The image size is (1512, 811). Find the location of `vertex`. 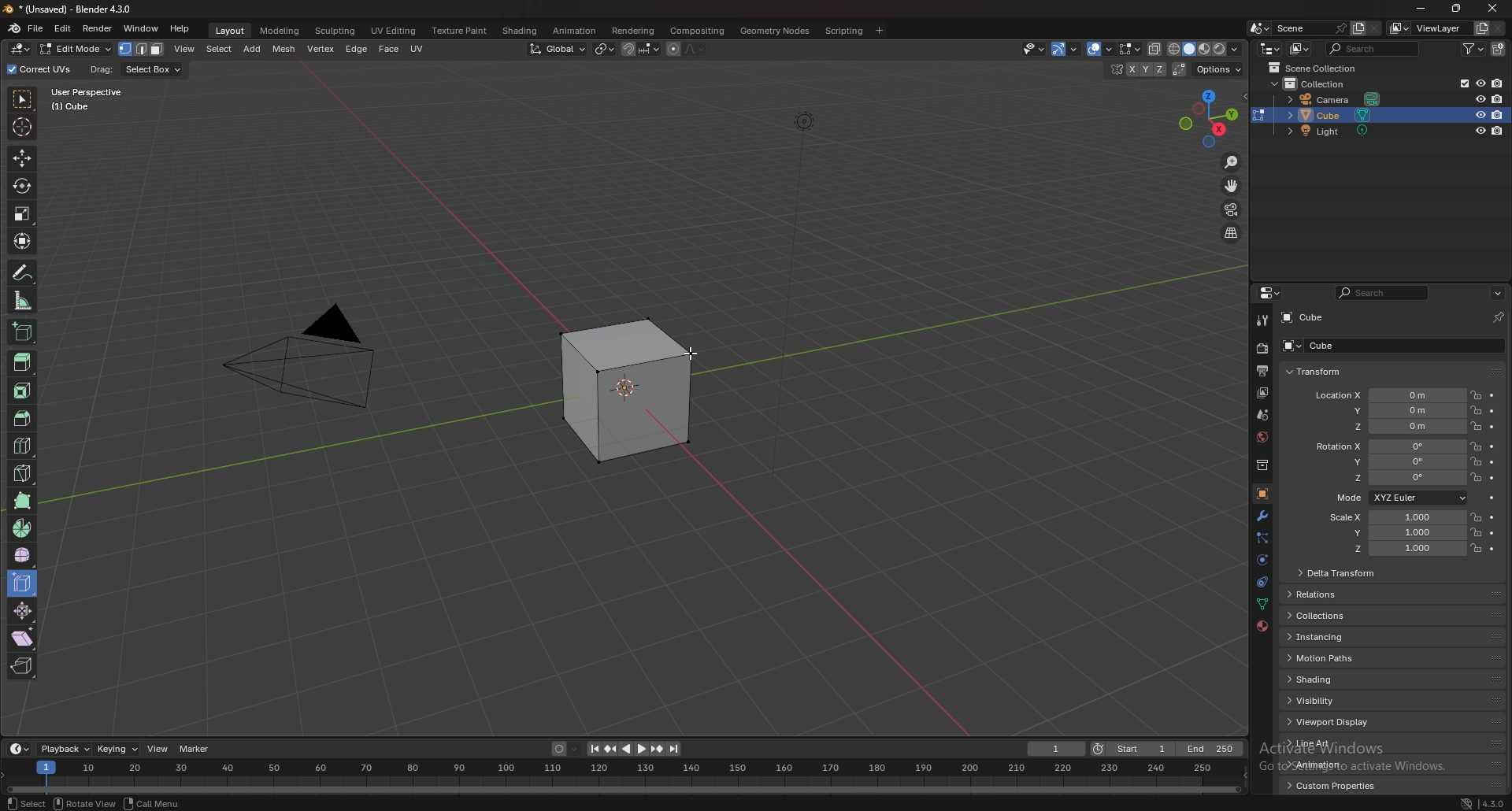

vertex is located at coordinates (321, 50).